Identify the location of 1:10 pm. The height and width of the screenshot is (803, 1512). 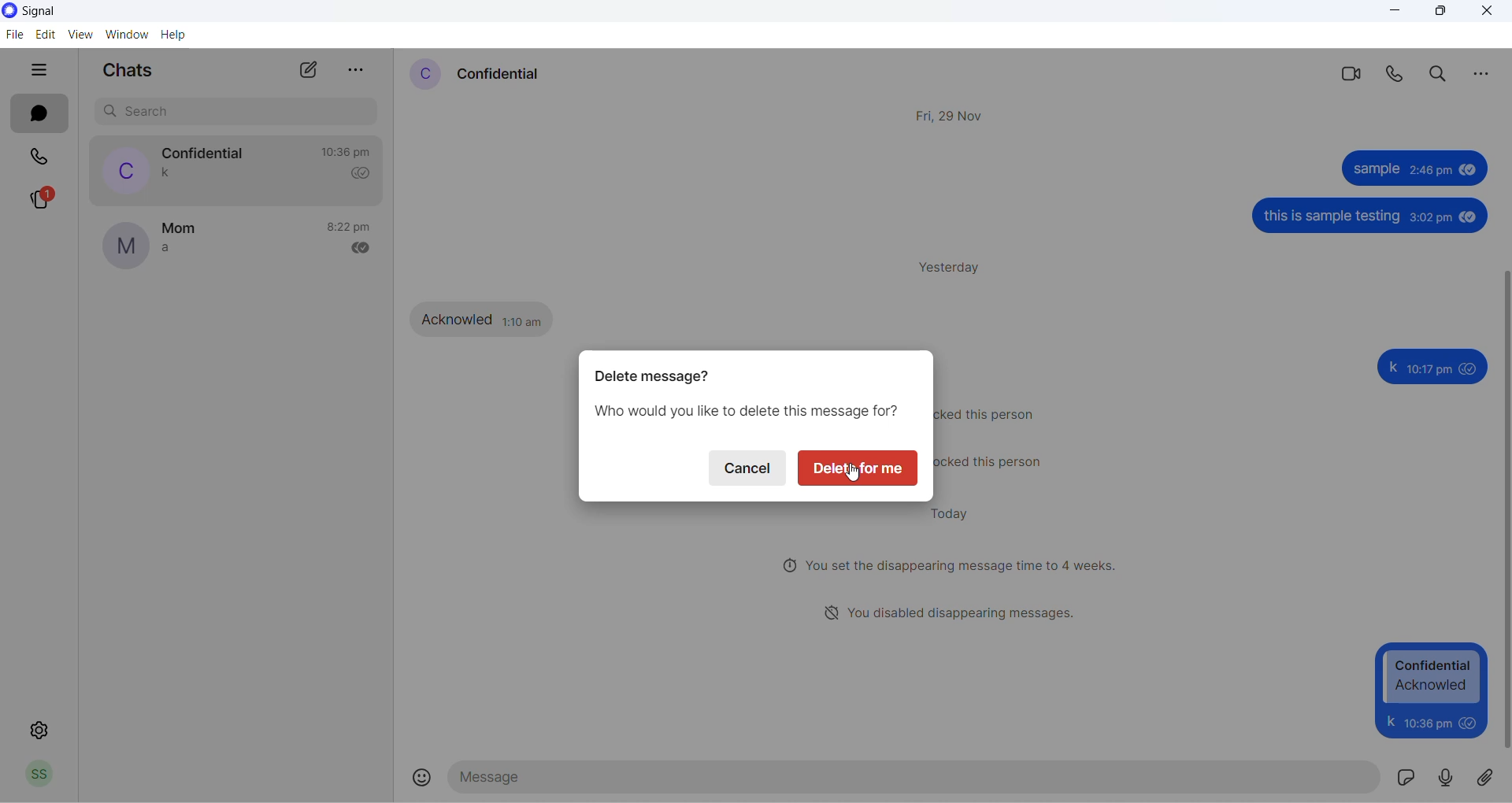
(525, 320).